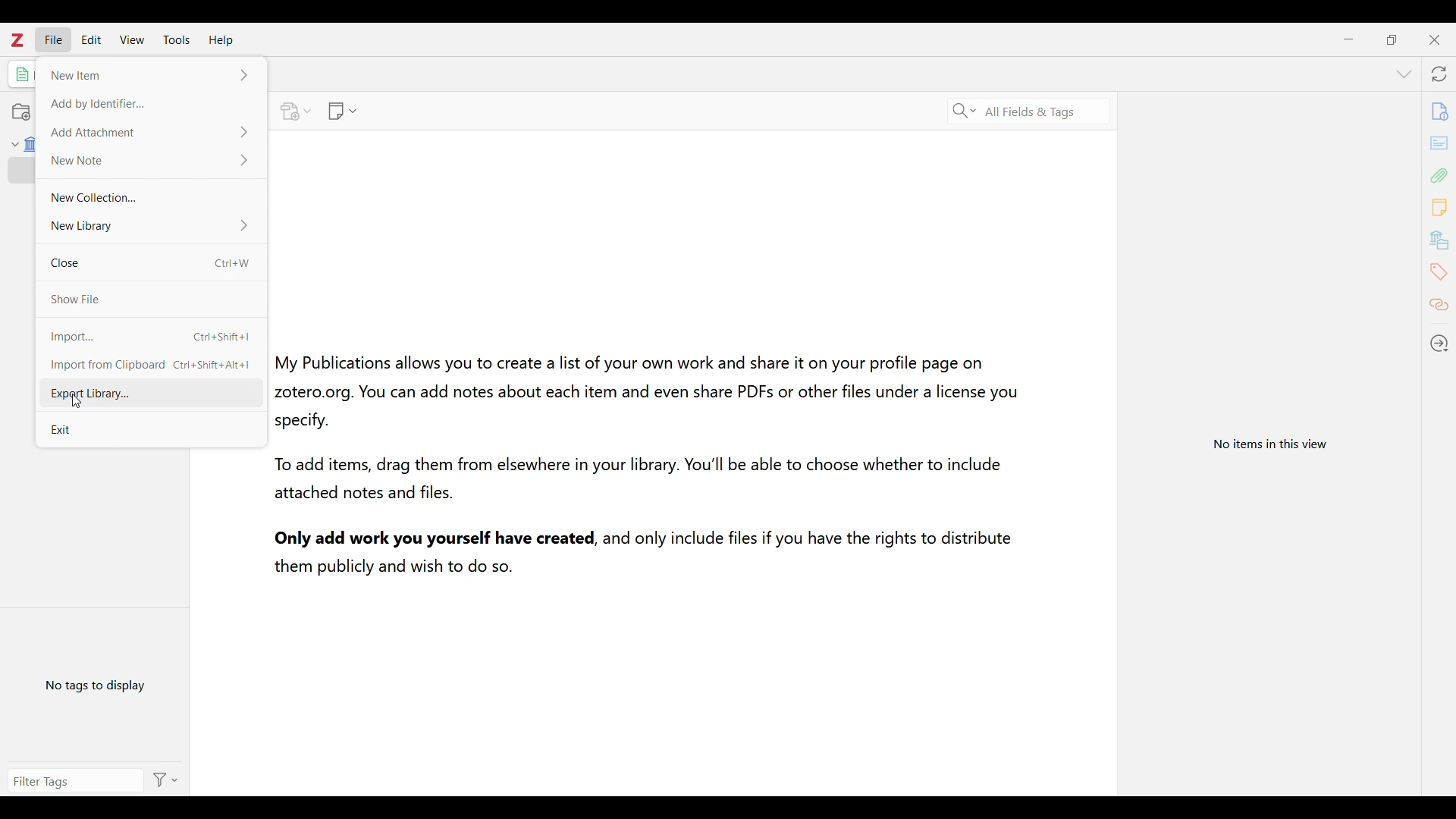 This screenshot has height=819, width=1456. Describe the element at coordinates (1403, 74) in the screenshot. I see `List all tabs` at that location.